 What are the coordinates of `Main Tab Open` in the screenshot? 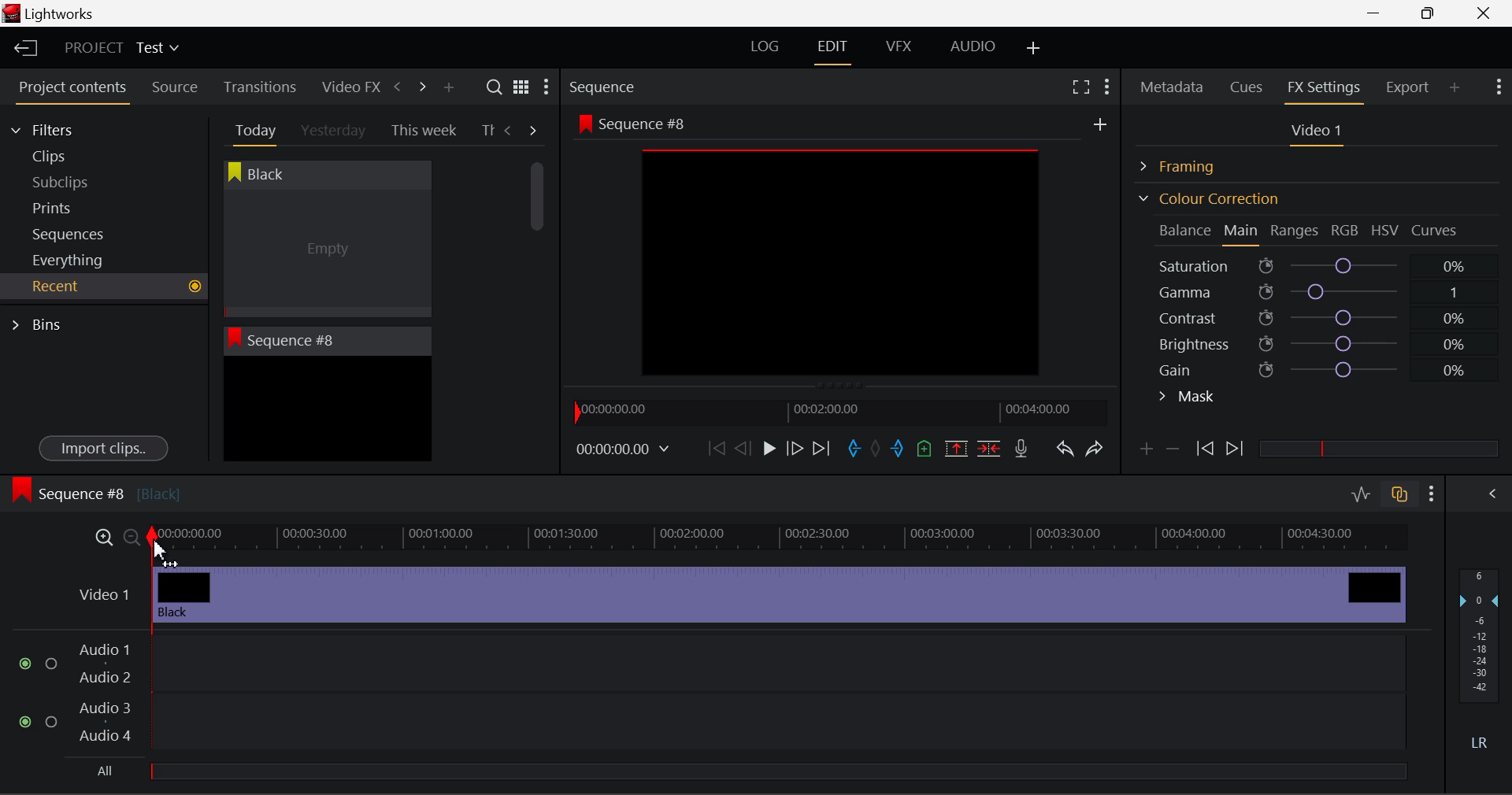 It's located at (1242, 232).